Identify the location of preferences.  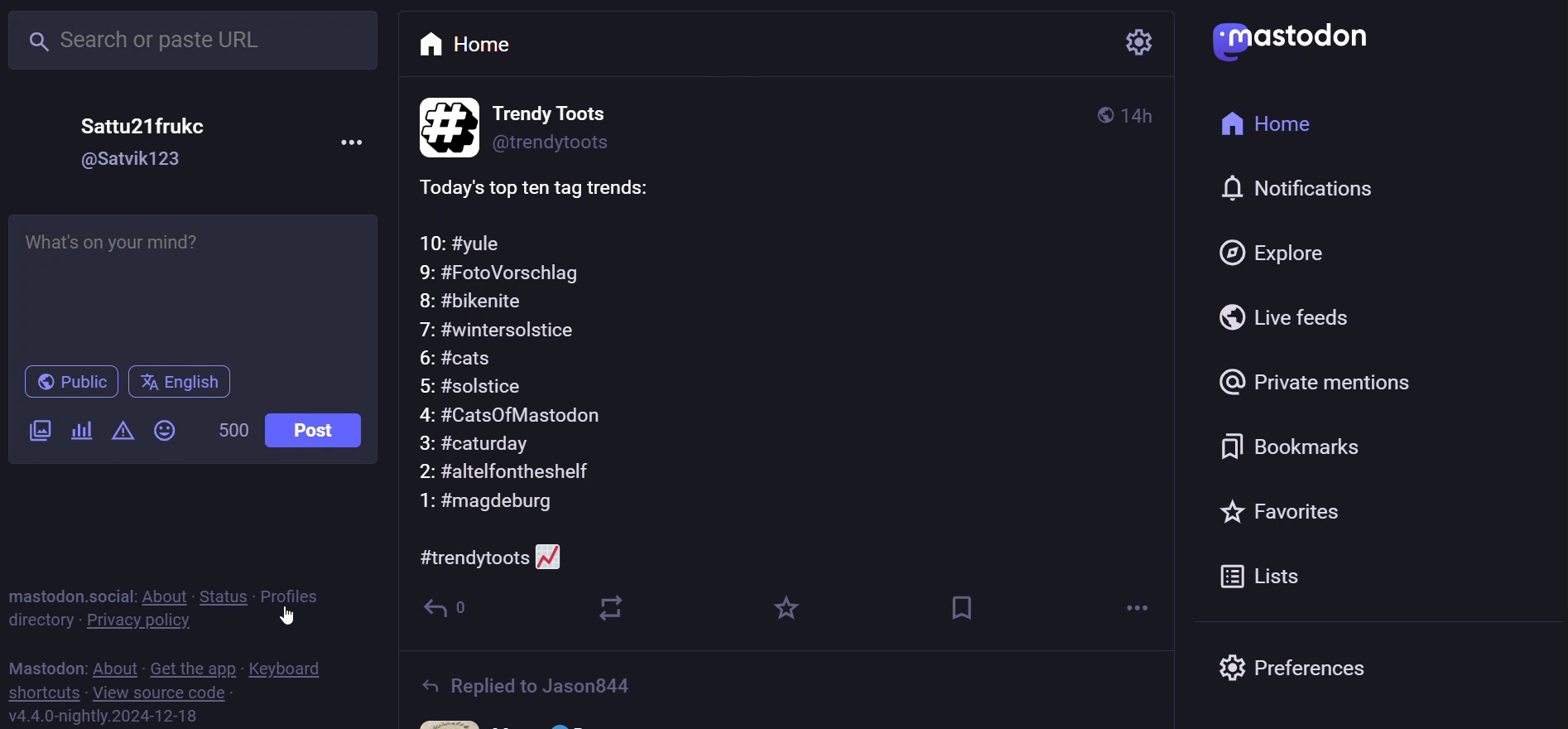
(1303, 664).